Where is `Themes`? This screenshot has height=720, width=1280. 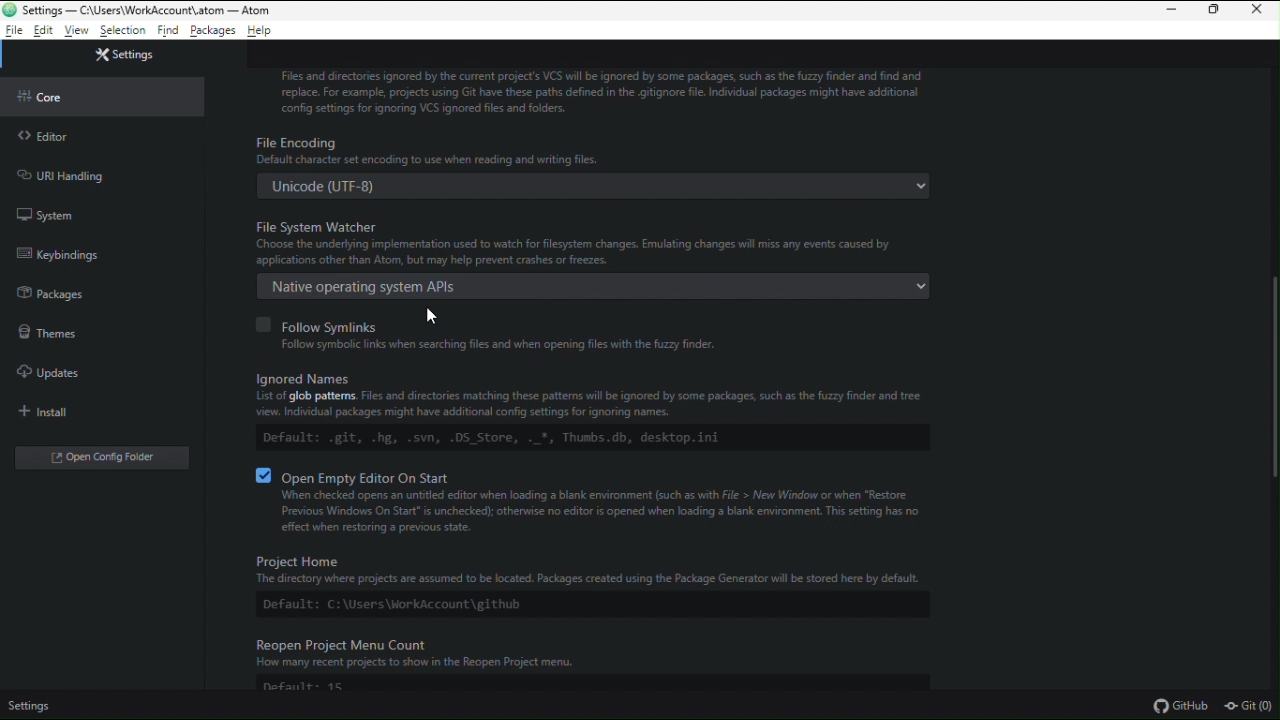 Themes is located at coordinates (47, 333).